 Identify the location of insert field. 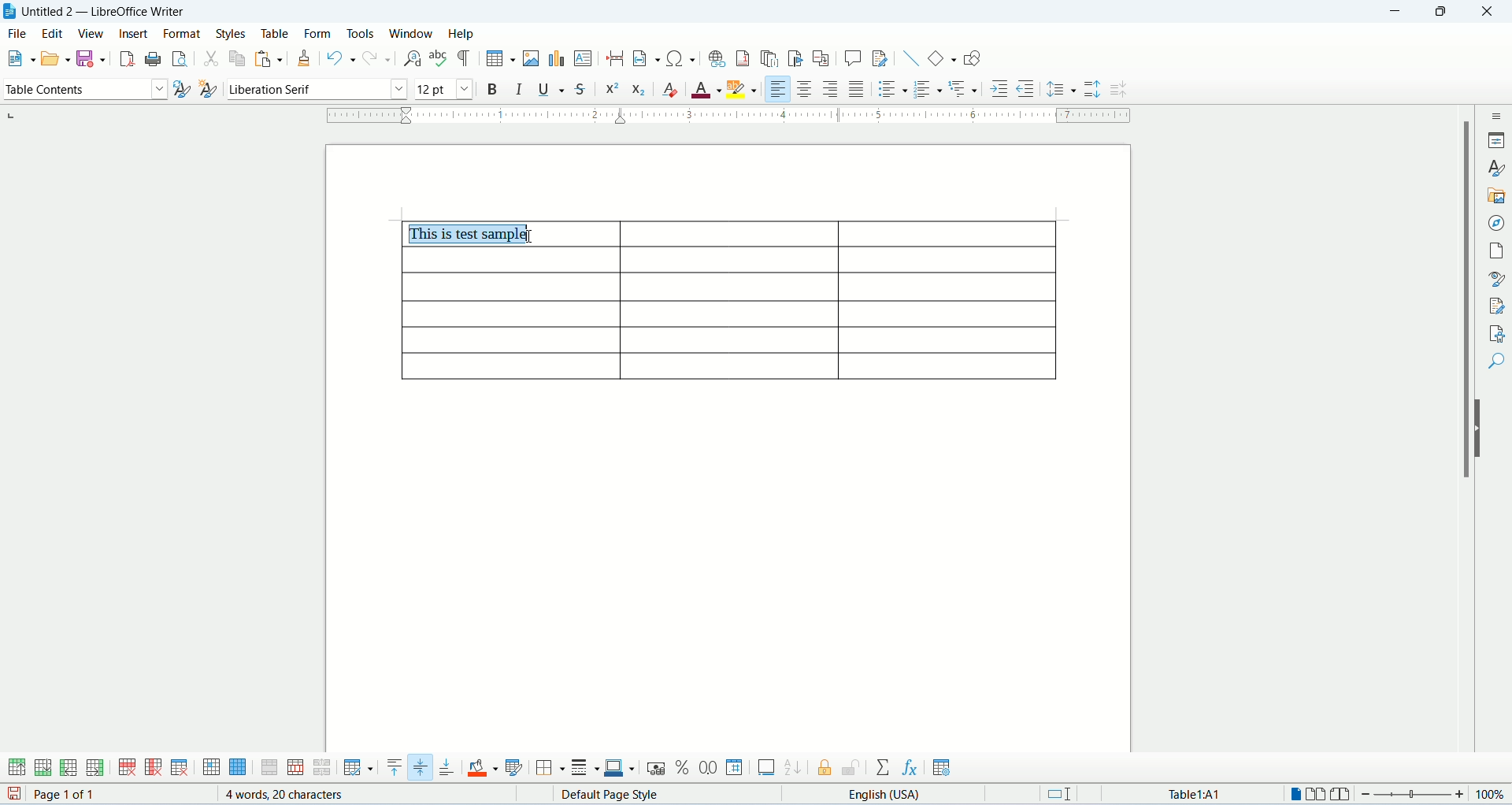
(645, 57).